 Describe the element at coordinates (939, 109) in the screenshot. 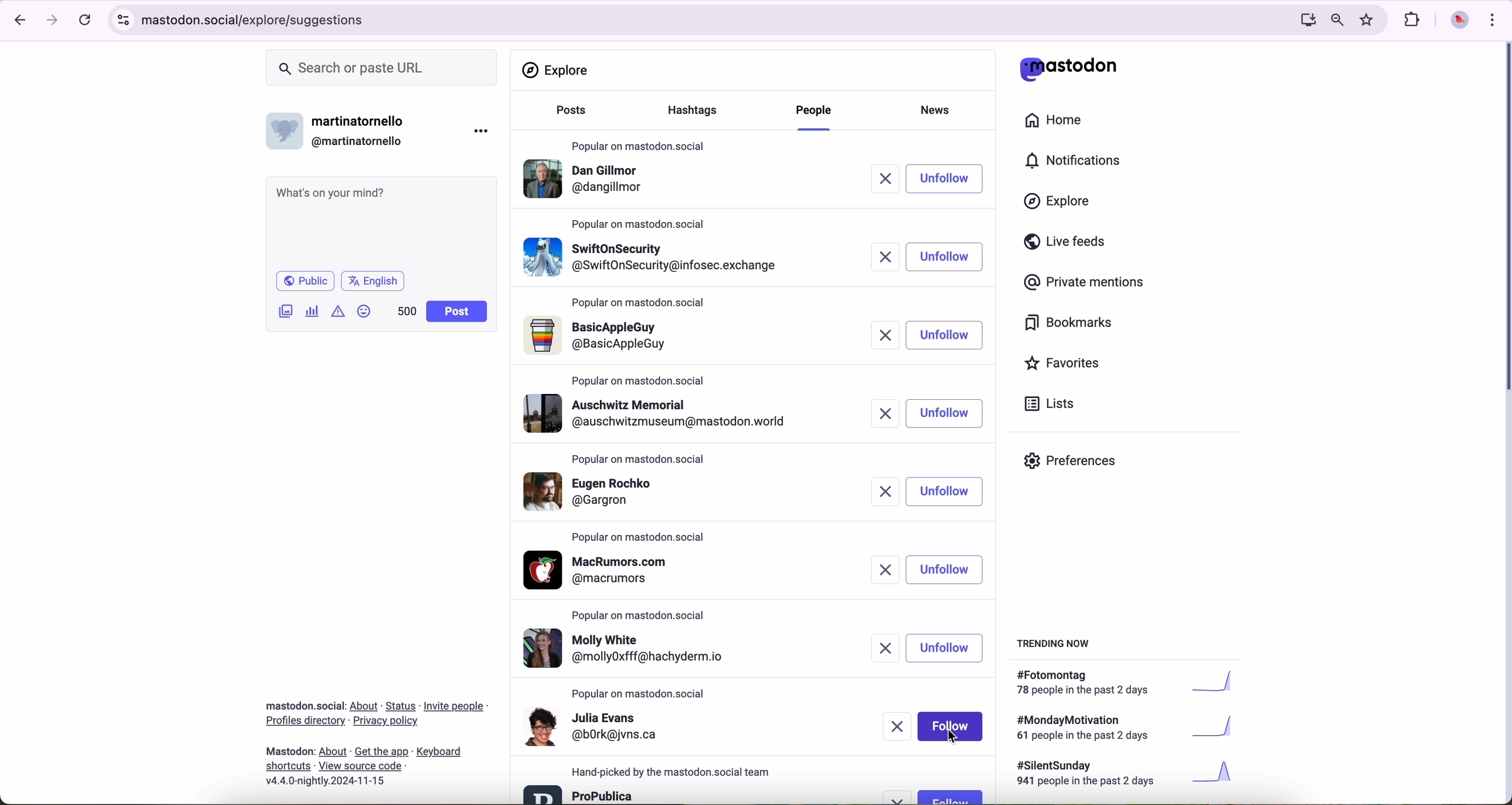

I see `news` at that location.